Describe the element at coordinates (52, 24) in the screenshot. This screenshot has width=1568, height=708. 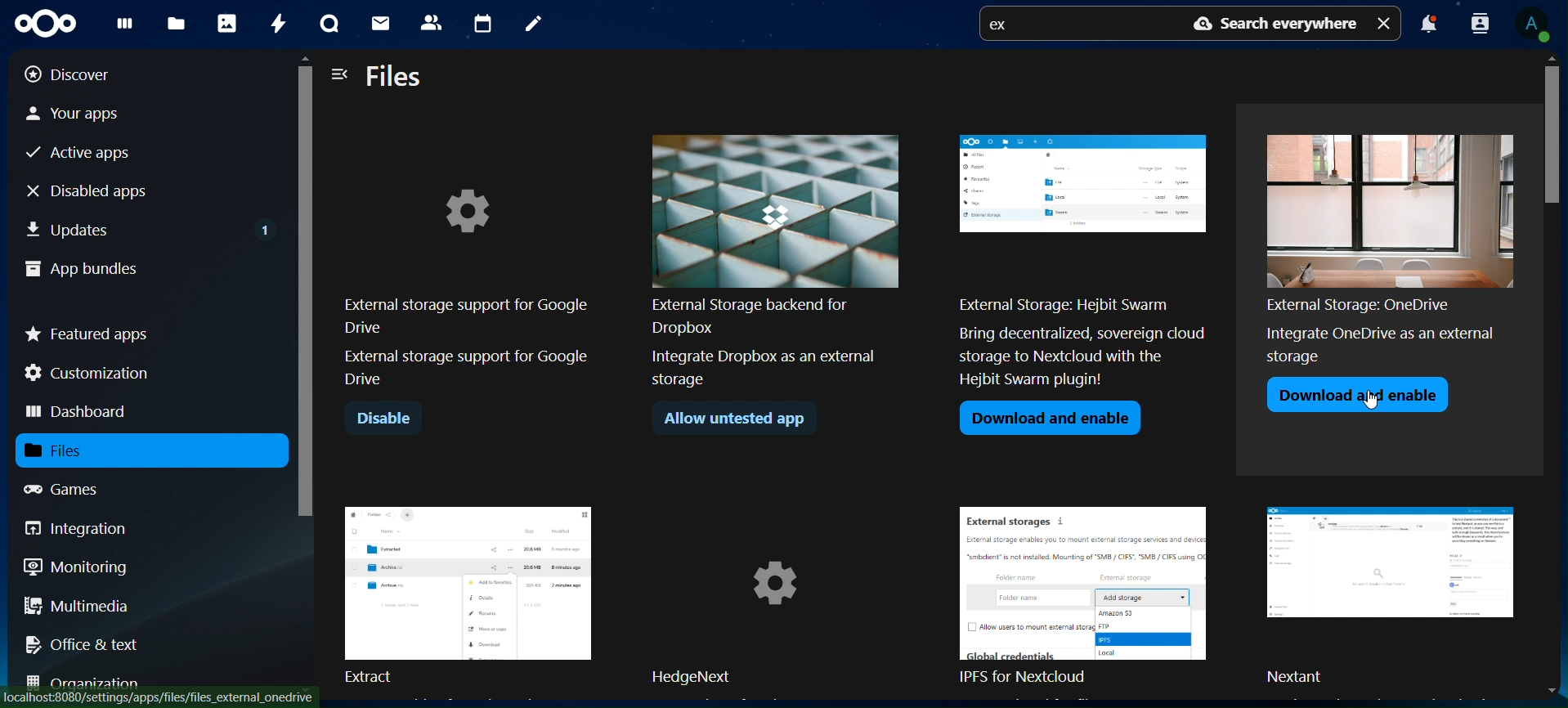
I see `icon` at that location.